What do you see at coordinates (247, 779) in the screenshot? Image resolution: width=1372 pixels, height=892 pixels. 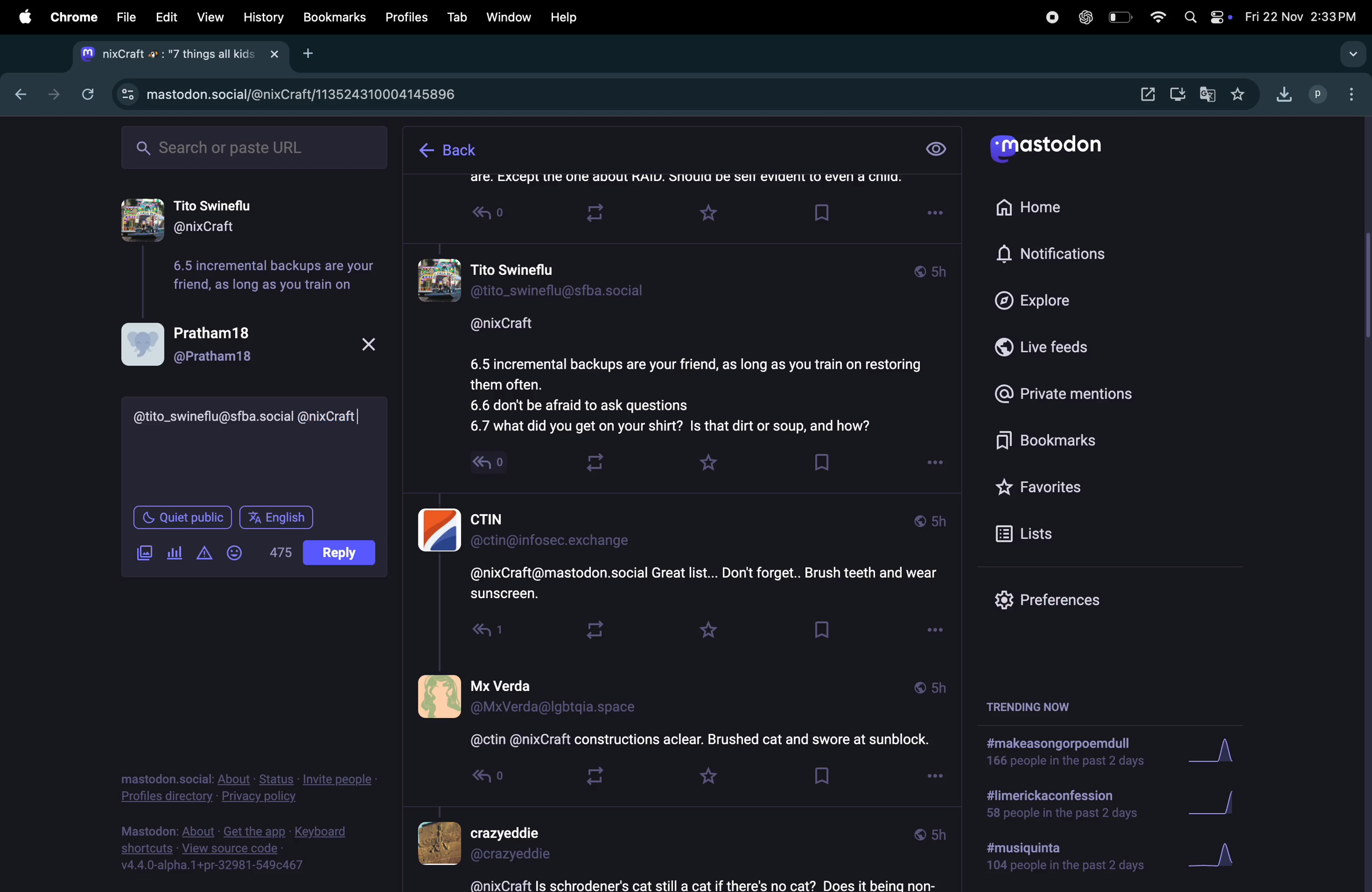 I see `mastodon.social: About - Status - Invite people -
Profiles directory - Privacy policy.` at bounding box center [247, 779].